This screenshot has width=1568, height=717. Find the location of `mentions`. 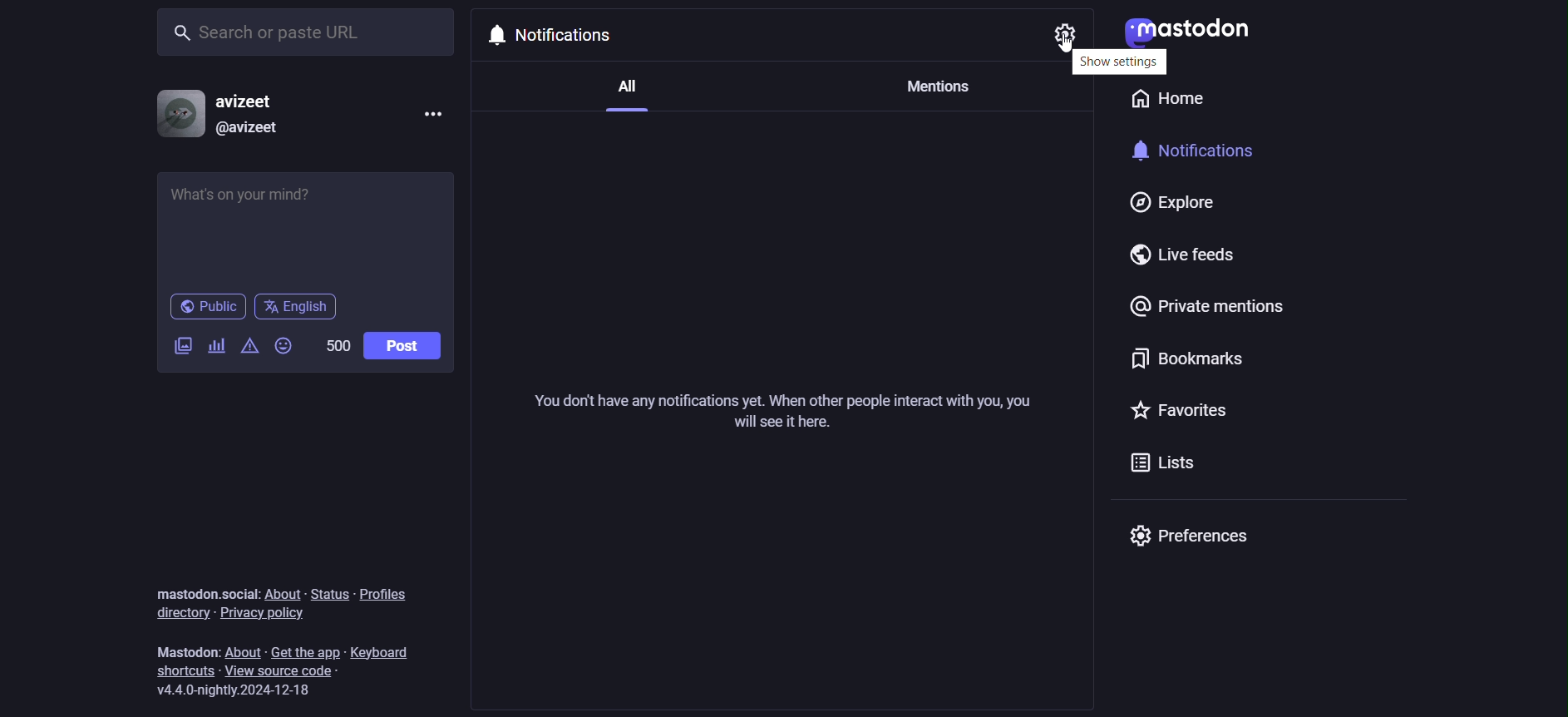

mentions is located at coordinates (936, 90).